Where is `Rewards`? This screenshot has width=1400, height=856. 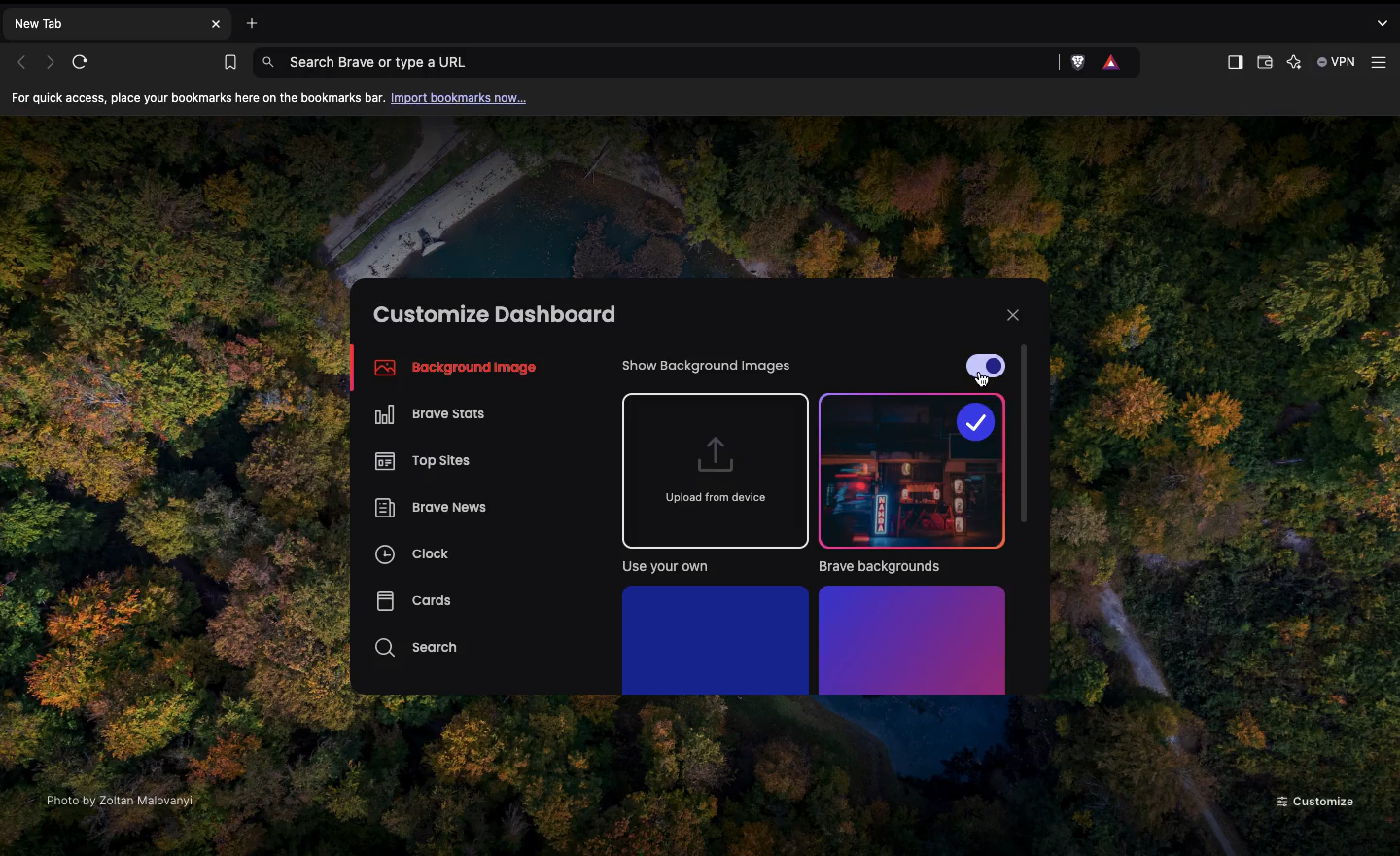
Rewards is located at coordinates (1113, 64).